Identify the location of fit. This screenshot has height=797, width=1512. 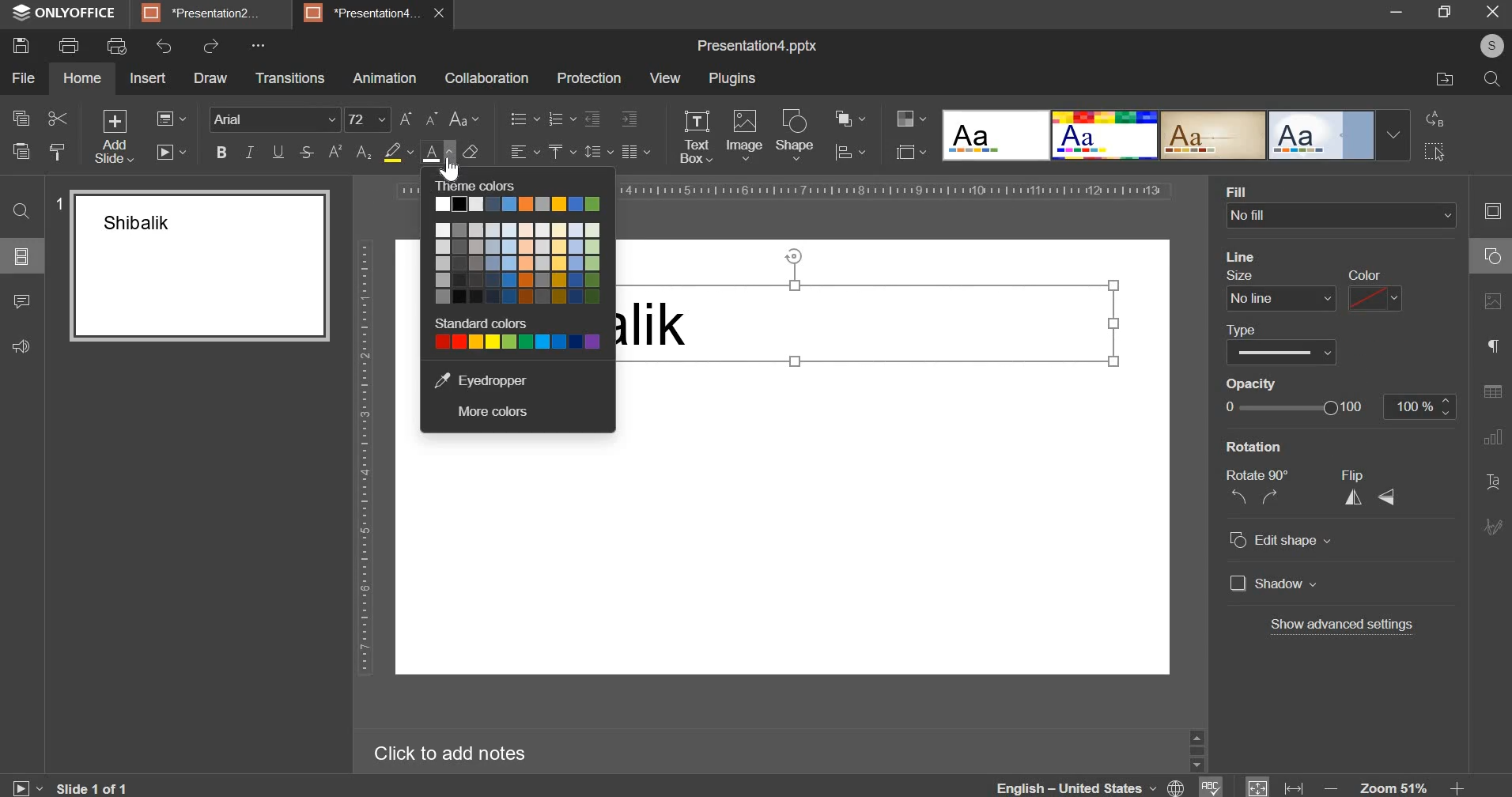
(1259, 786).